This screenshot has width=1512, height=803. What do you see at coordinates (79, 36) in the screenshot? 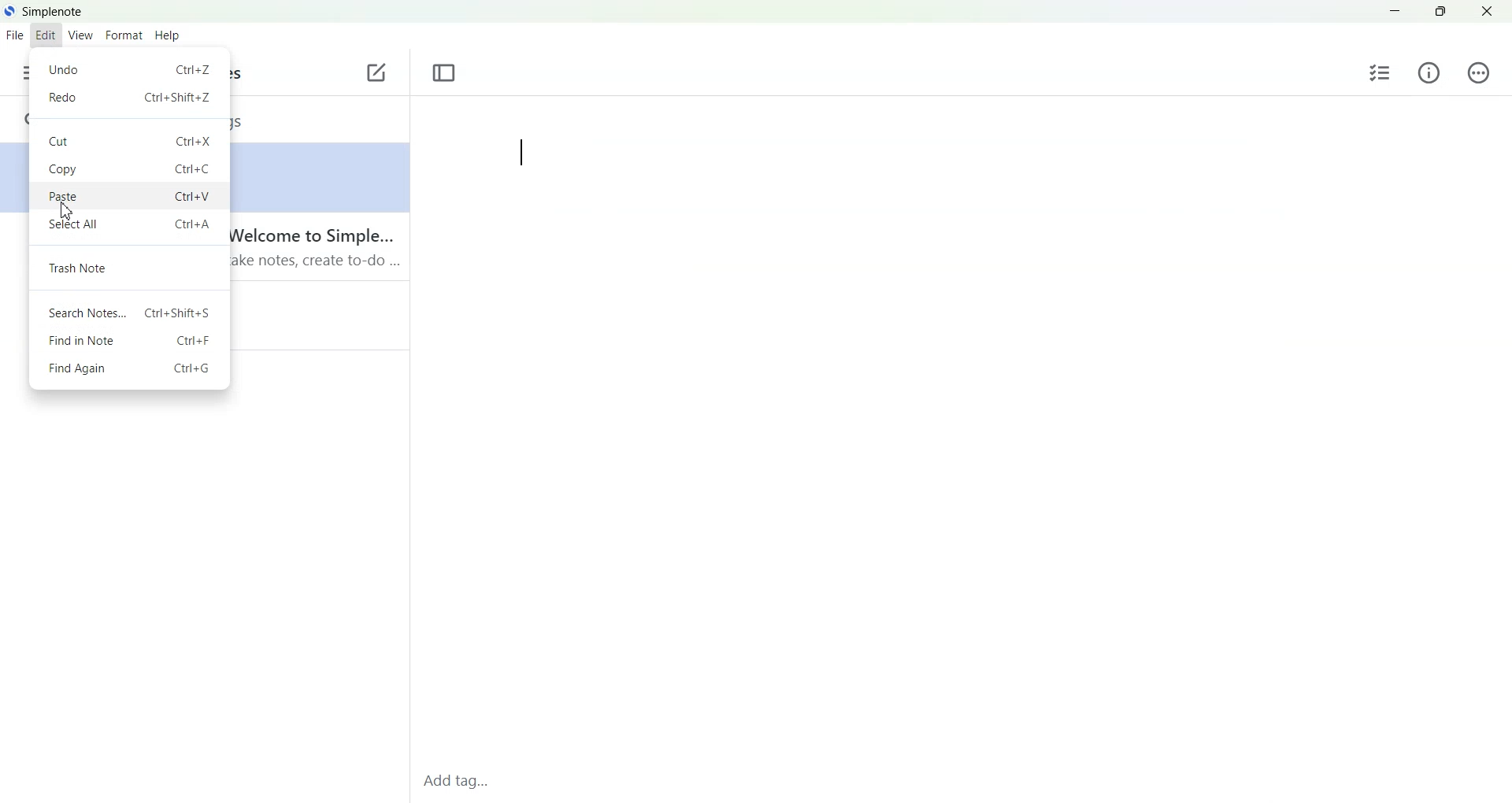
I see `View` at bounding box center [79, 36].